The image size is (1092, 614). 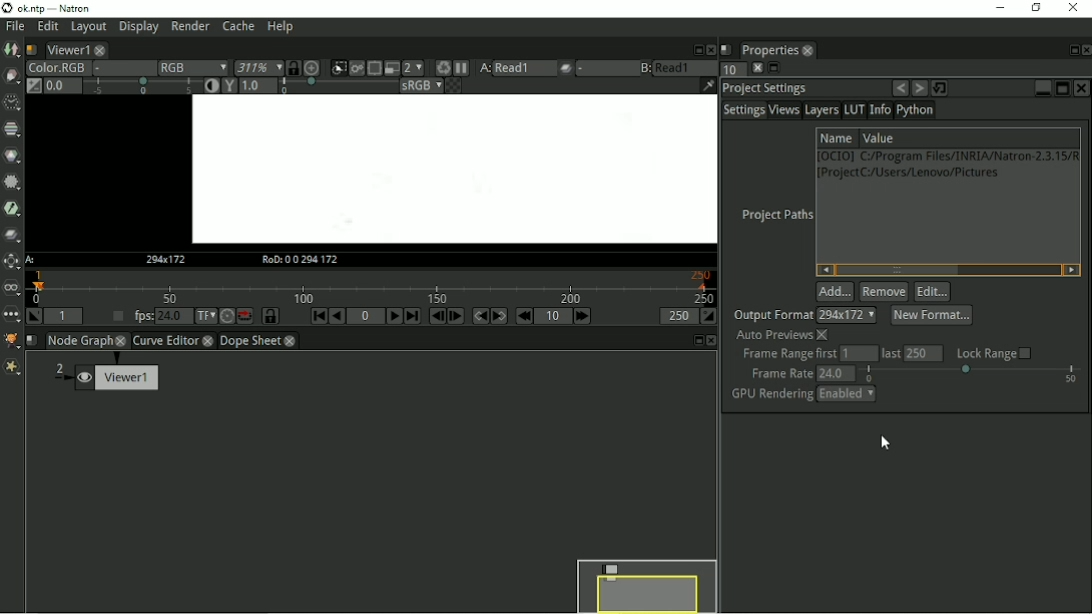 What do you see at coordinates (779, 373) in the screenshot?
I see `Frame Rate` at bounding box center [779, 373].